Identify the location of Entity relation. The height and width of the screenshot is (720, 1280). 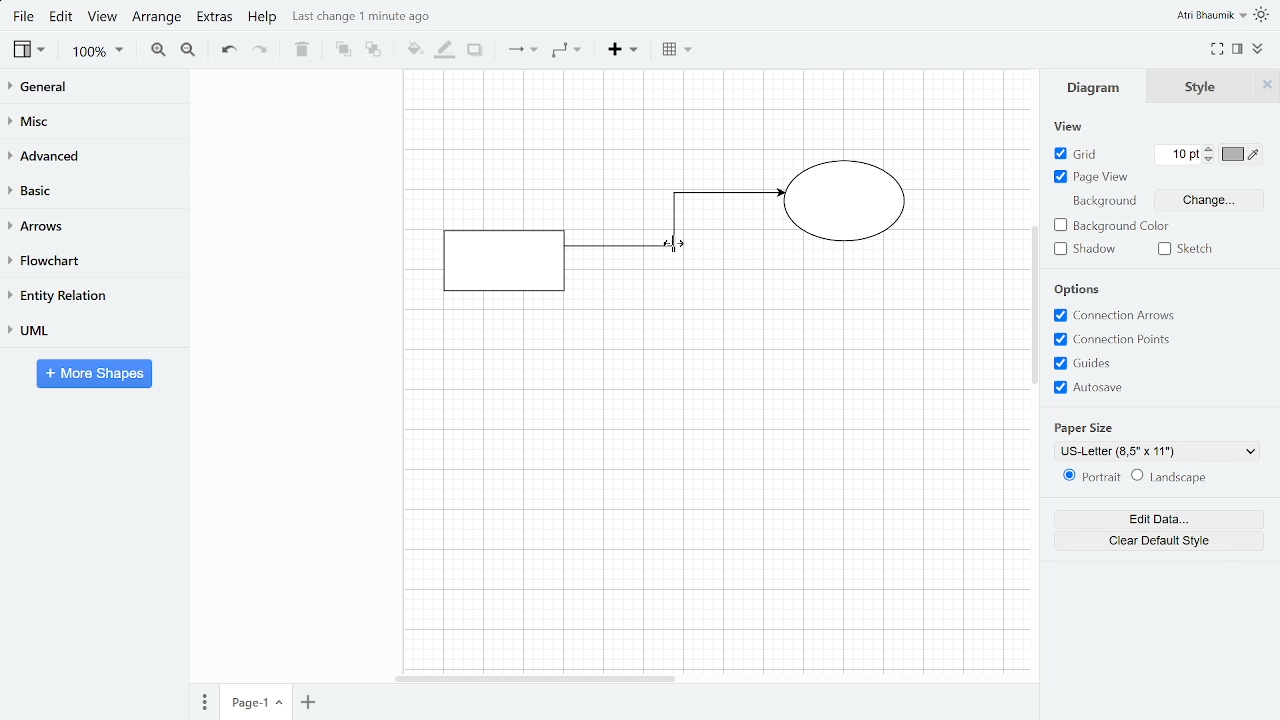
(91, 294).